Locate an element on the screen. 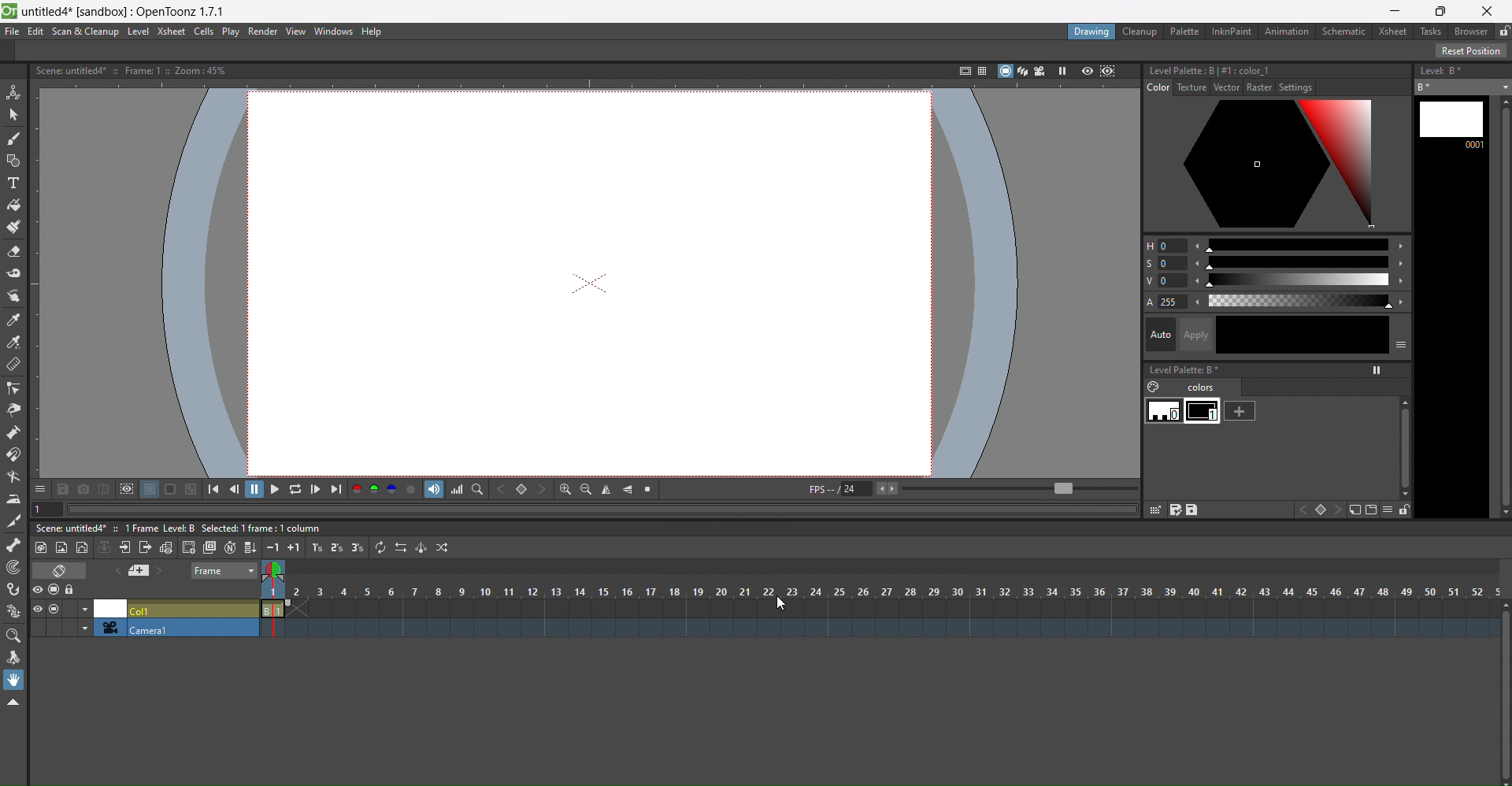  H is located at coordinates (1148, 246).